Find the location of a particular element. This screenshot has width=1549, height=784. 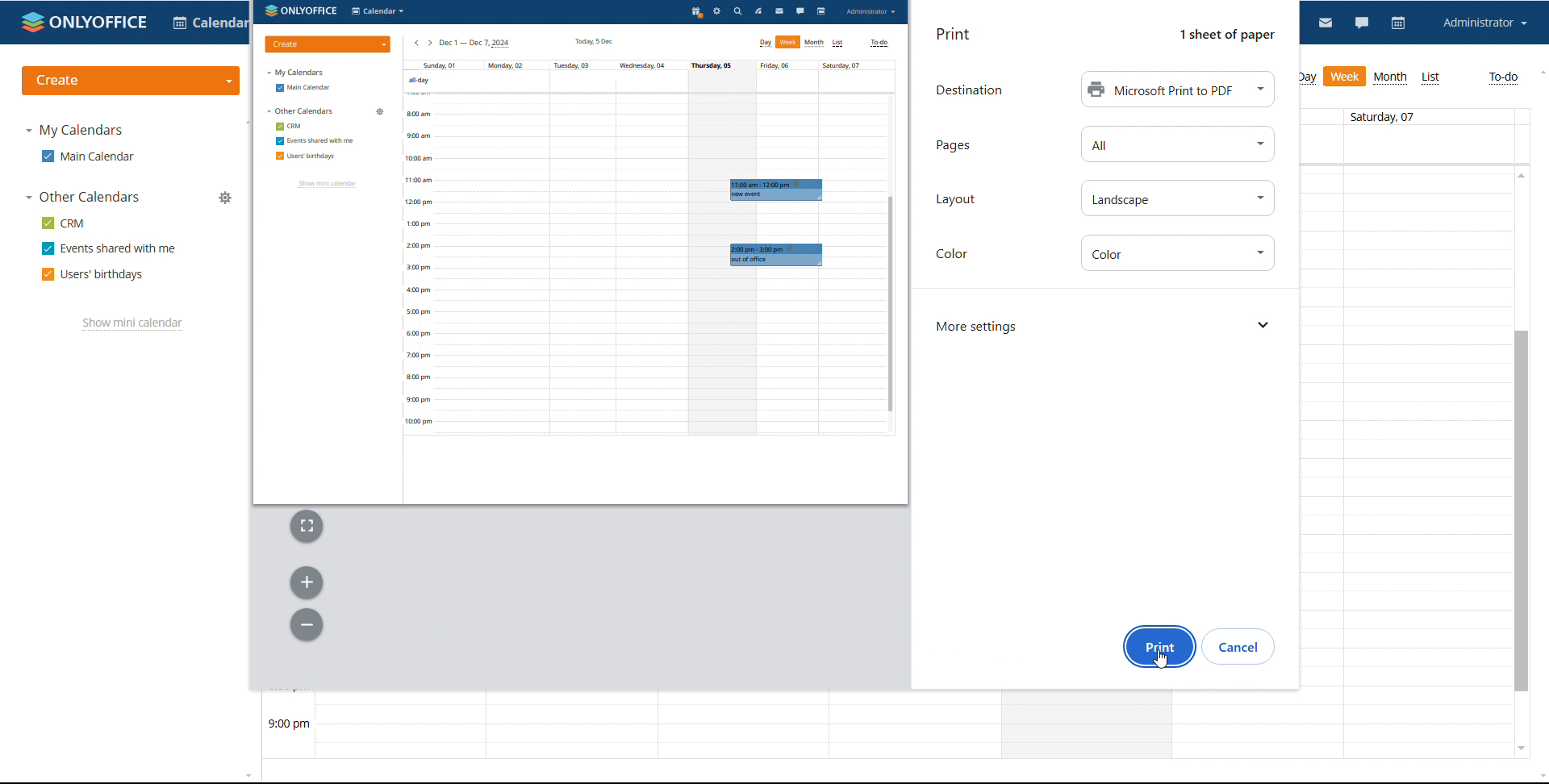

text is located at coordinates (968, 87).